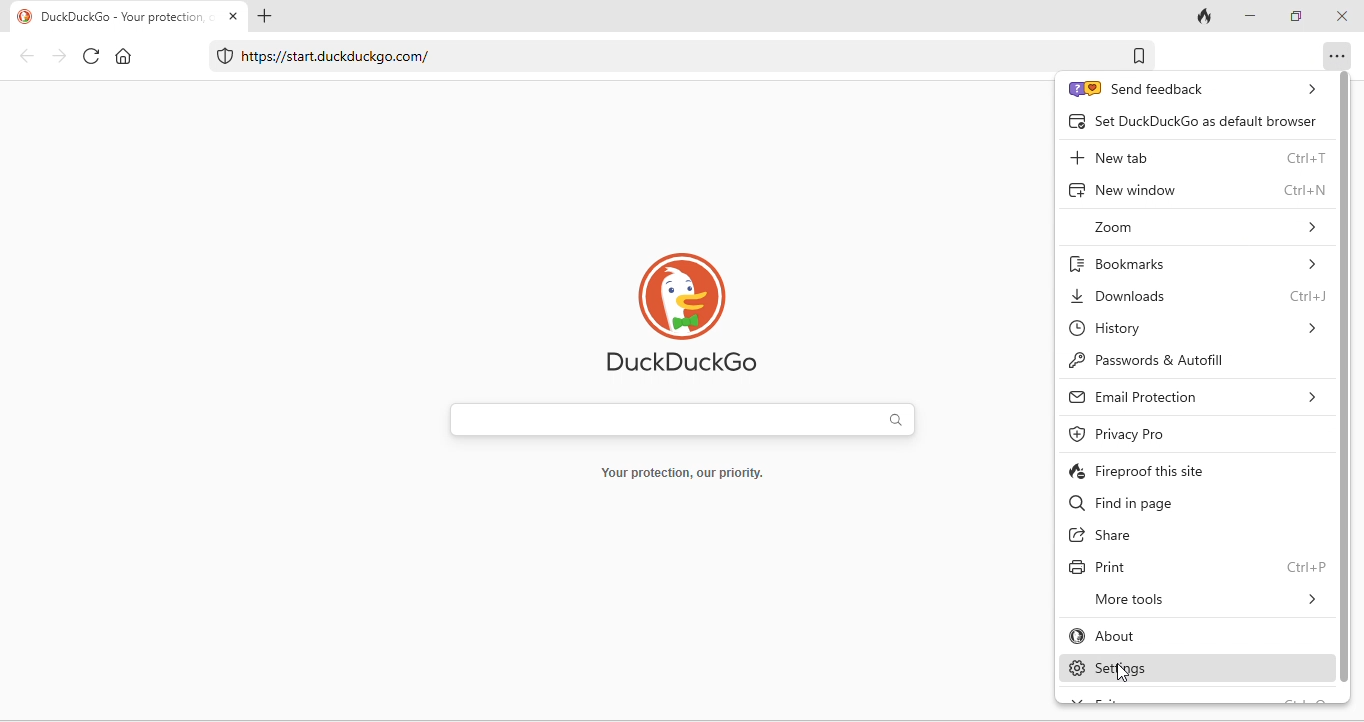 The image size is (1364, 722). What do you see at coordinates (25, 56) in the screenshot?
I see `back` at bounding box center [25, 56].